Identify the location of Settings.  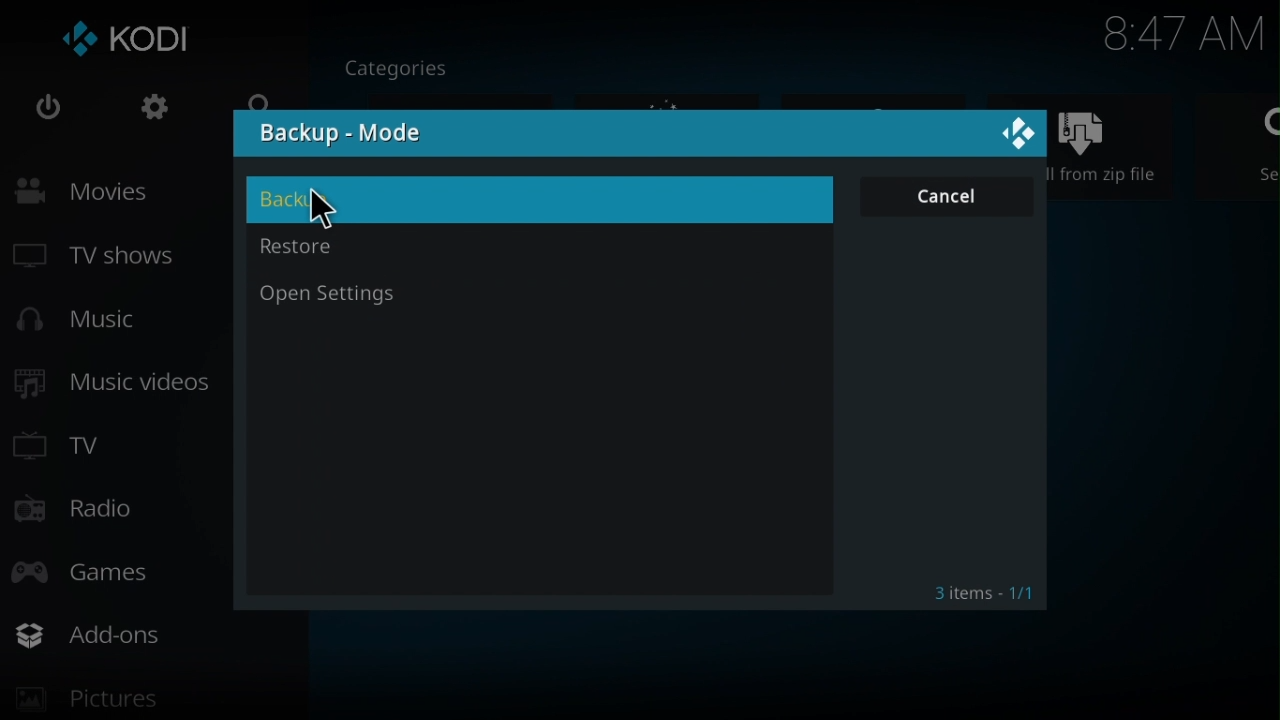
(146, 112).